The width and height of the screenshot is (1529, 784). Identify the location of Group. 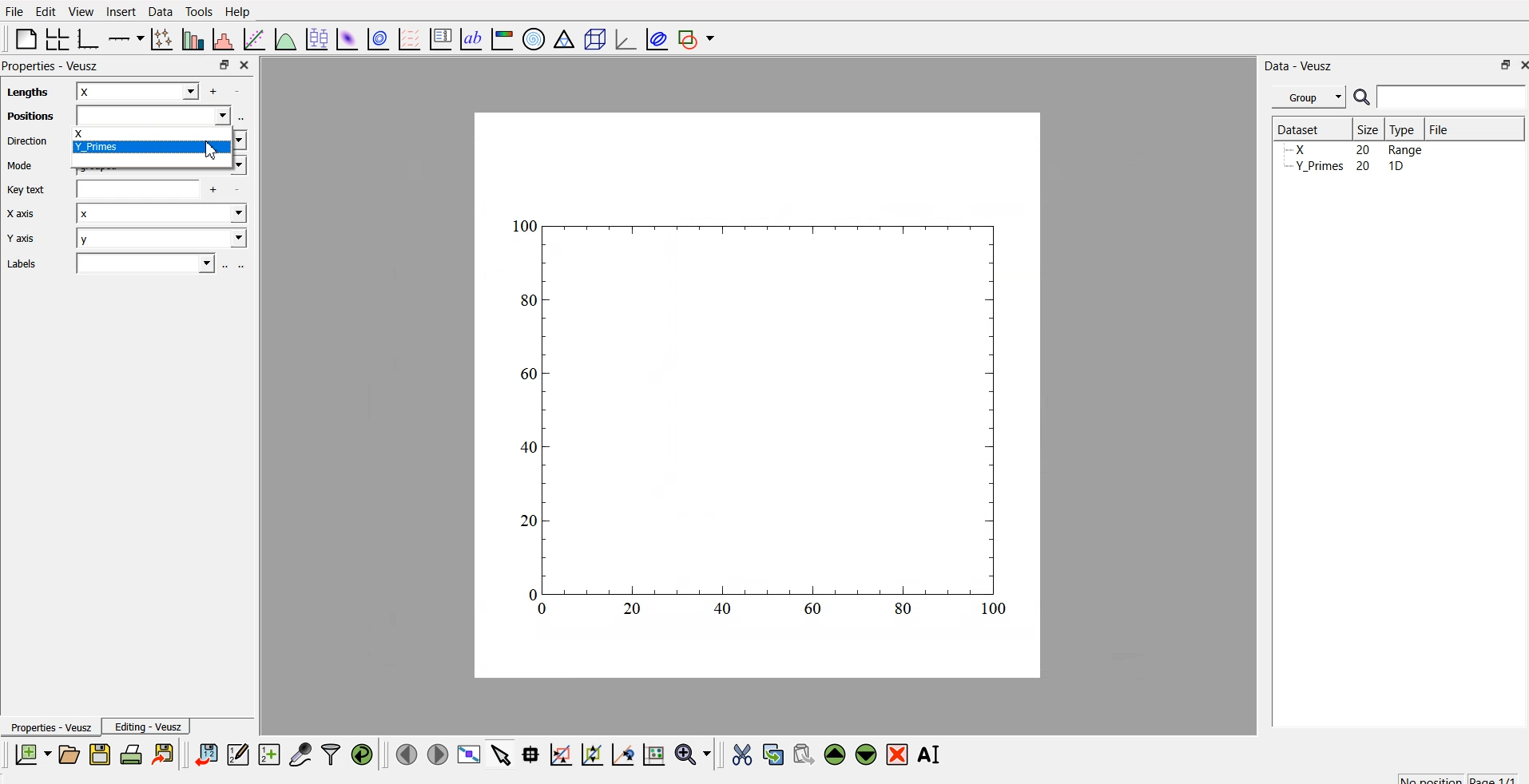
(1311, 95).